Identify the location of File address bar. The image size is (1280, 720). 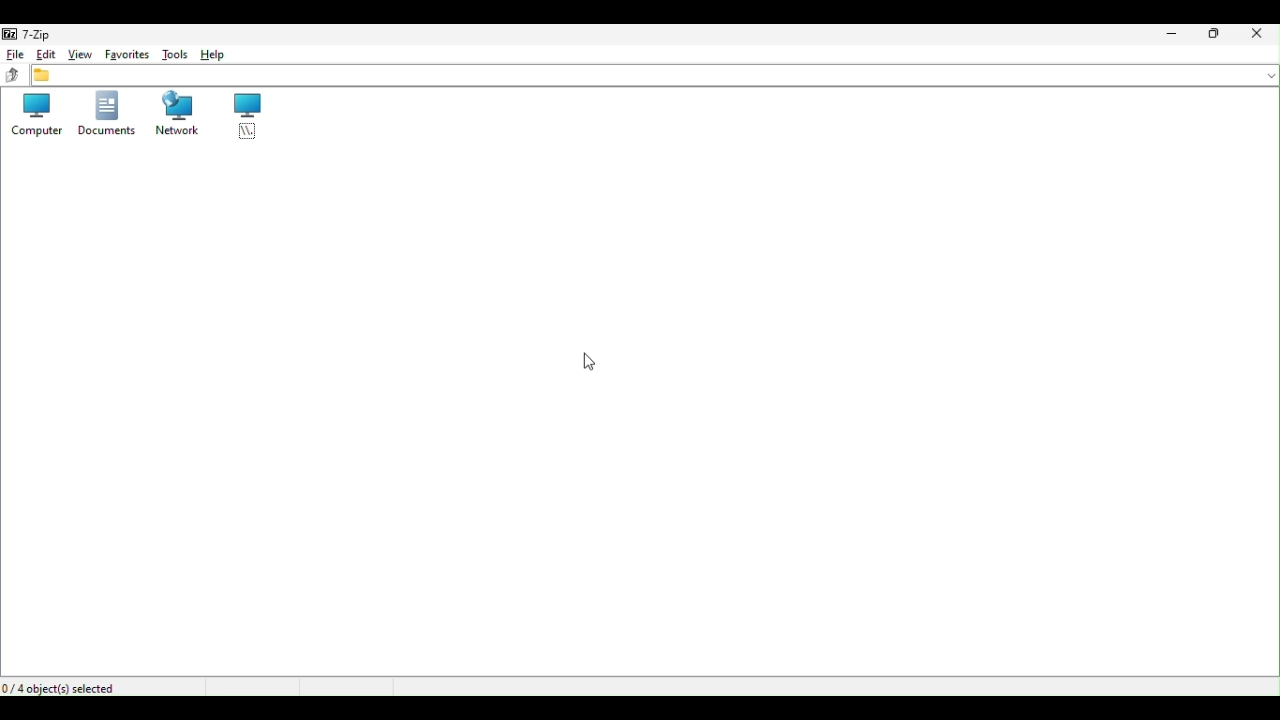
(653, 77).